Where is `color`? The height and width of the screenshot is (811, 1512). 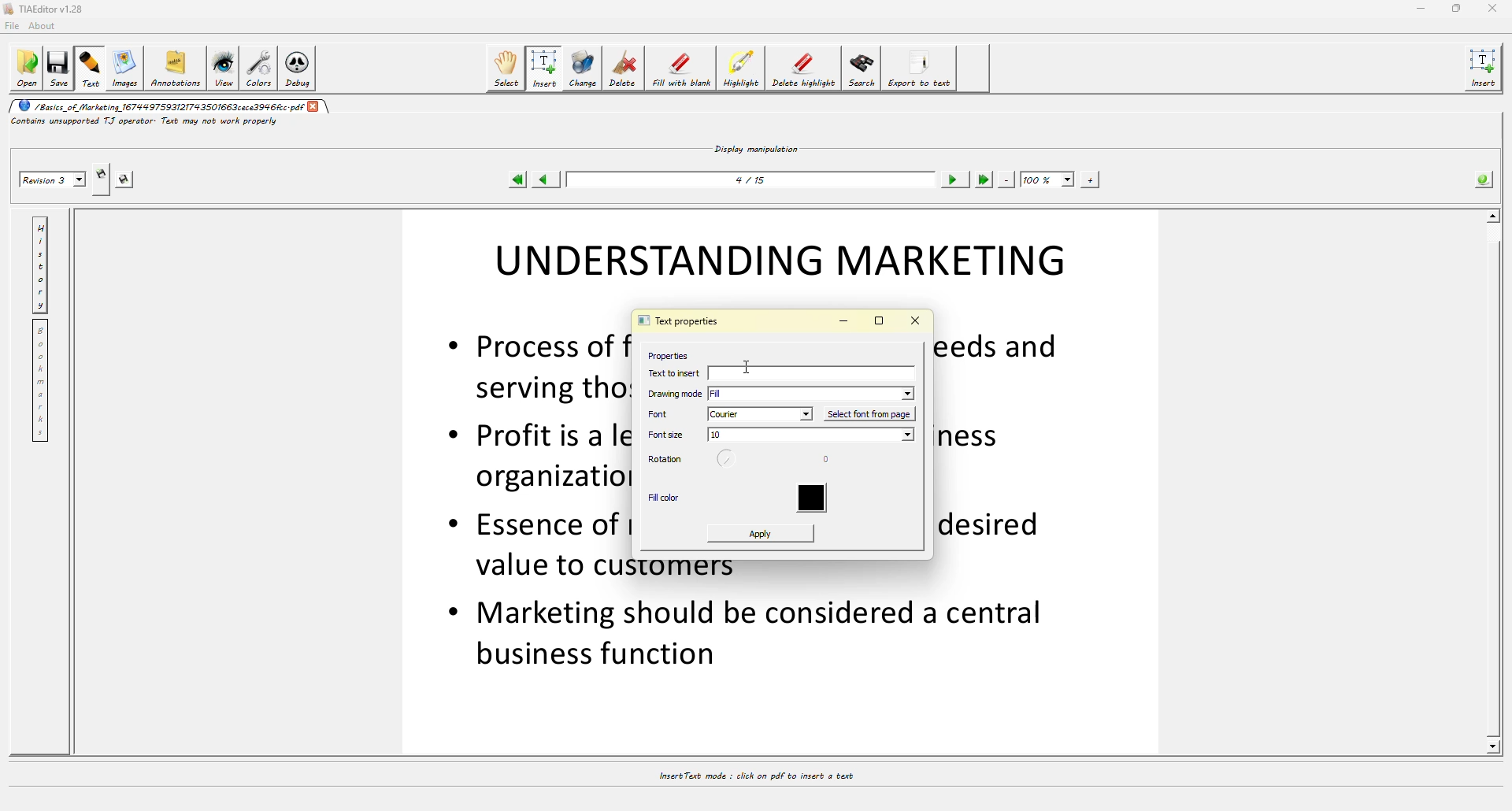
color is located at coordinates (817, 499).